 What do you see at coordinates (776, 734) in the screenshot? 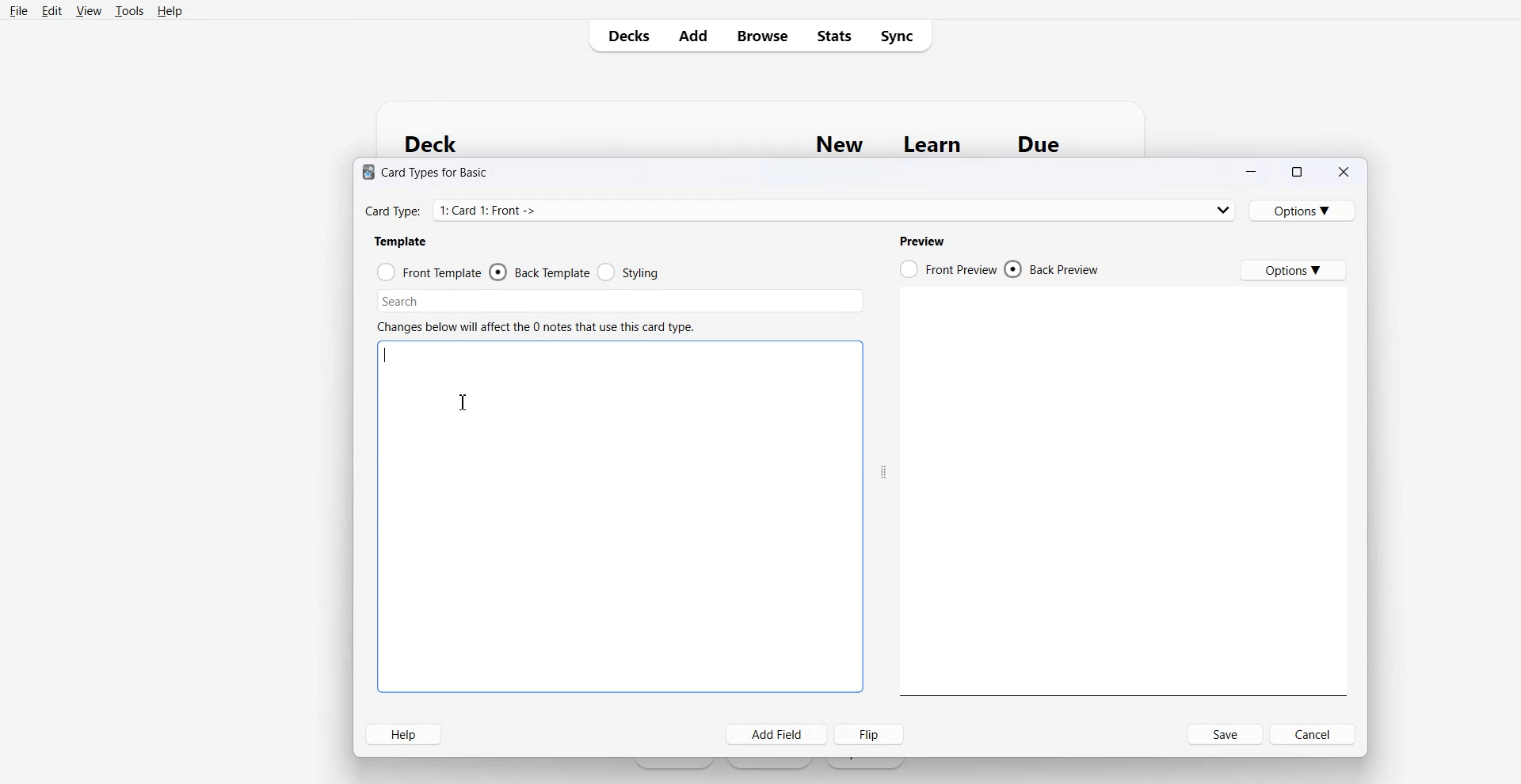
I see `Add field` at bounding box center [776, 734].